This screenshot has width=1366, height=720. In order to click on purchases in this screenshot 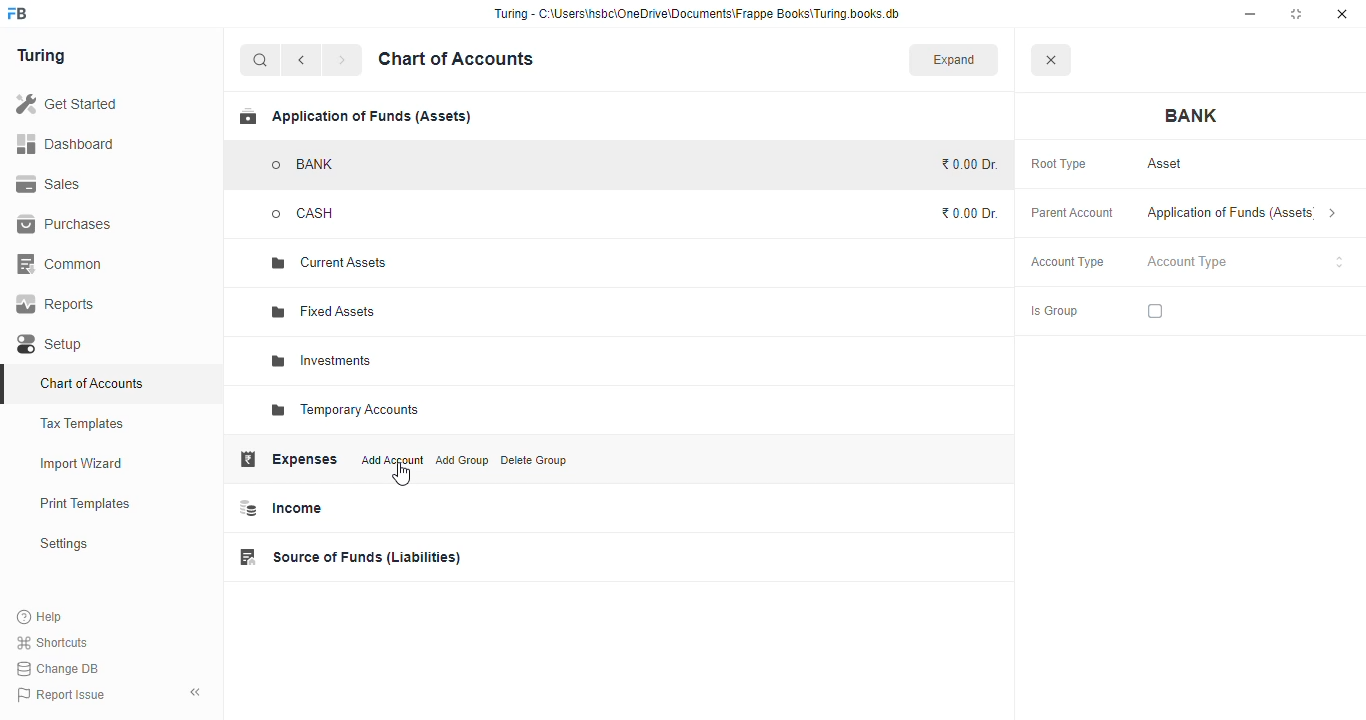, I will do `click(67, 225)`.